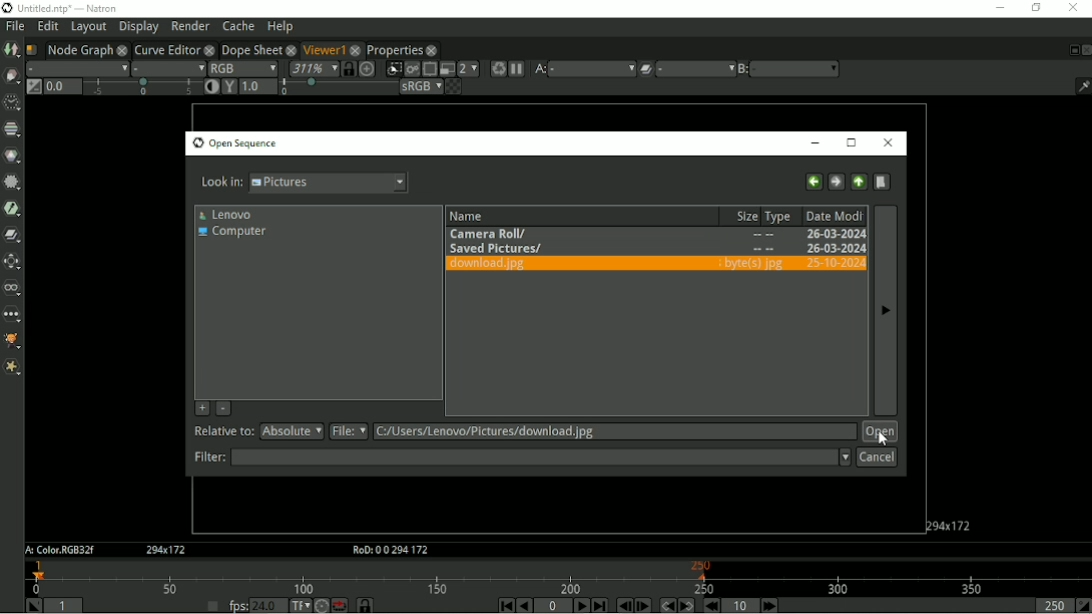  I want to click on 24, so click(269, 605).